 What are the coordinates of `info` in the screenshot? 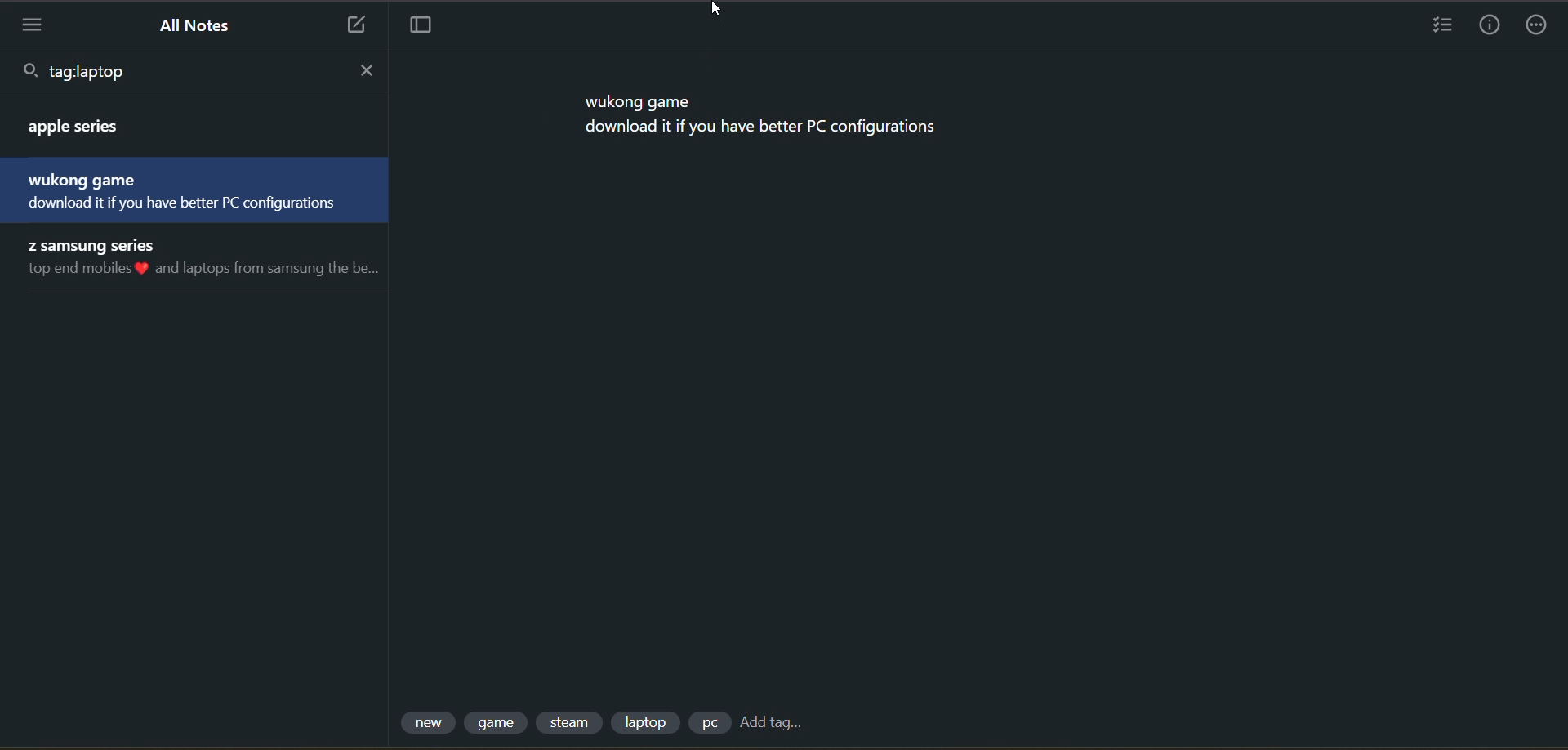 It's located at (1490, 26).